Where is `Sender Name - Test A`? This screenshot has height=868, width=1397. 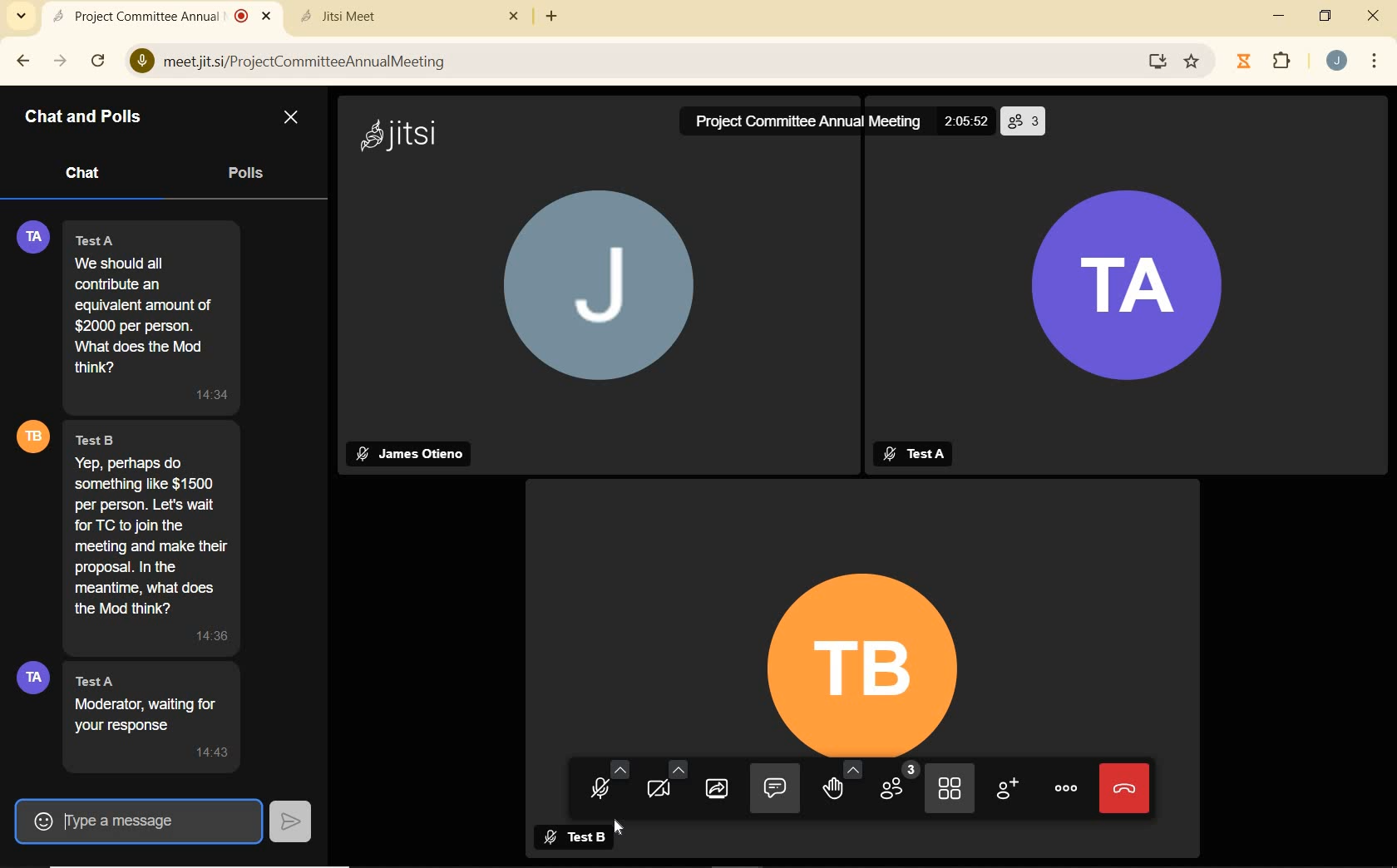
Sender Name - Test A is located at coordinates (109, 239).